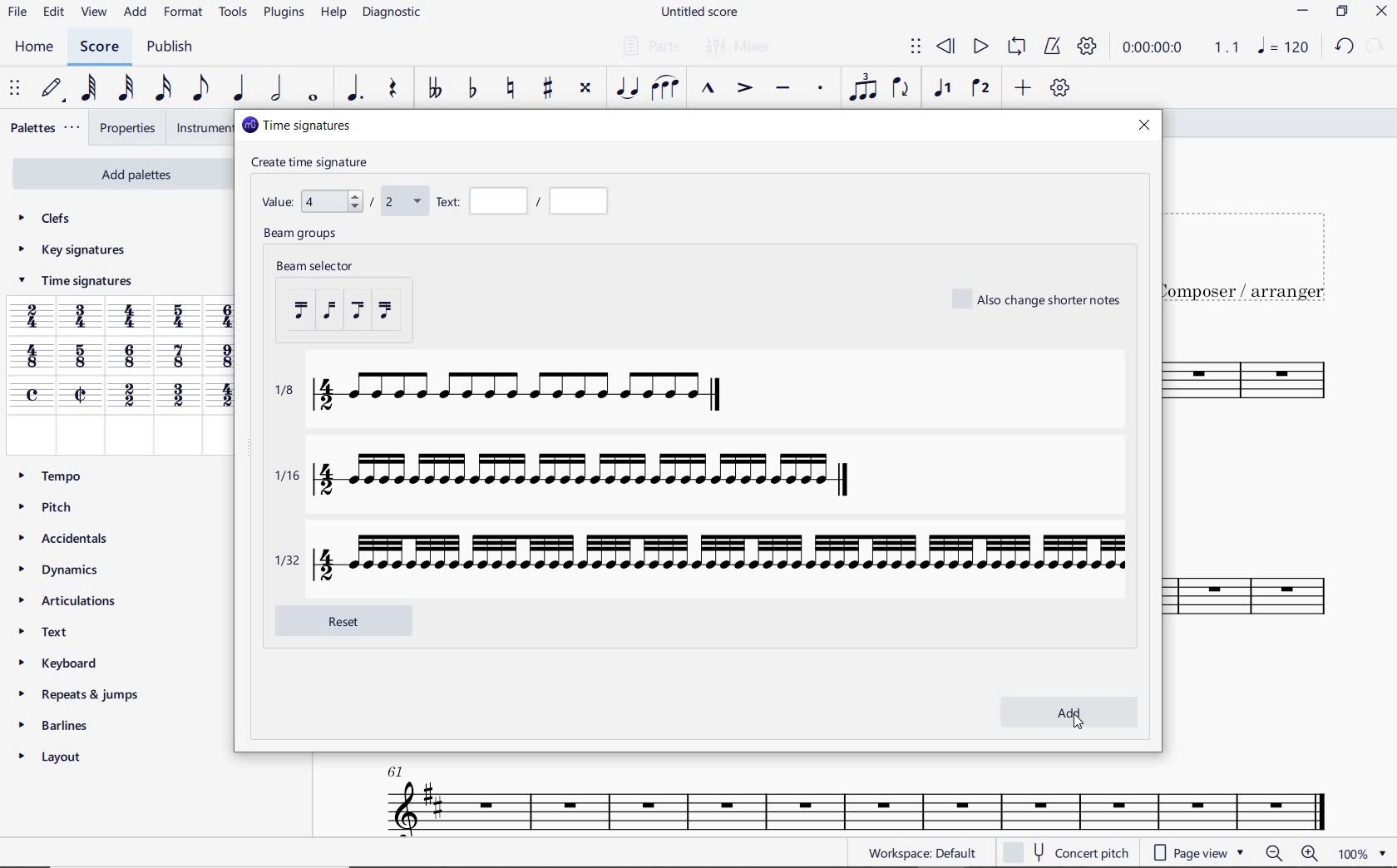 The image size is (1397, 868). What do you see at coordinates (183, 12) in the screenshot?
I see `FORMAT` at bounding box center [183, 12].